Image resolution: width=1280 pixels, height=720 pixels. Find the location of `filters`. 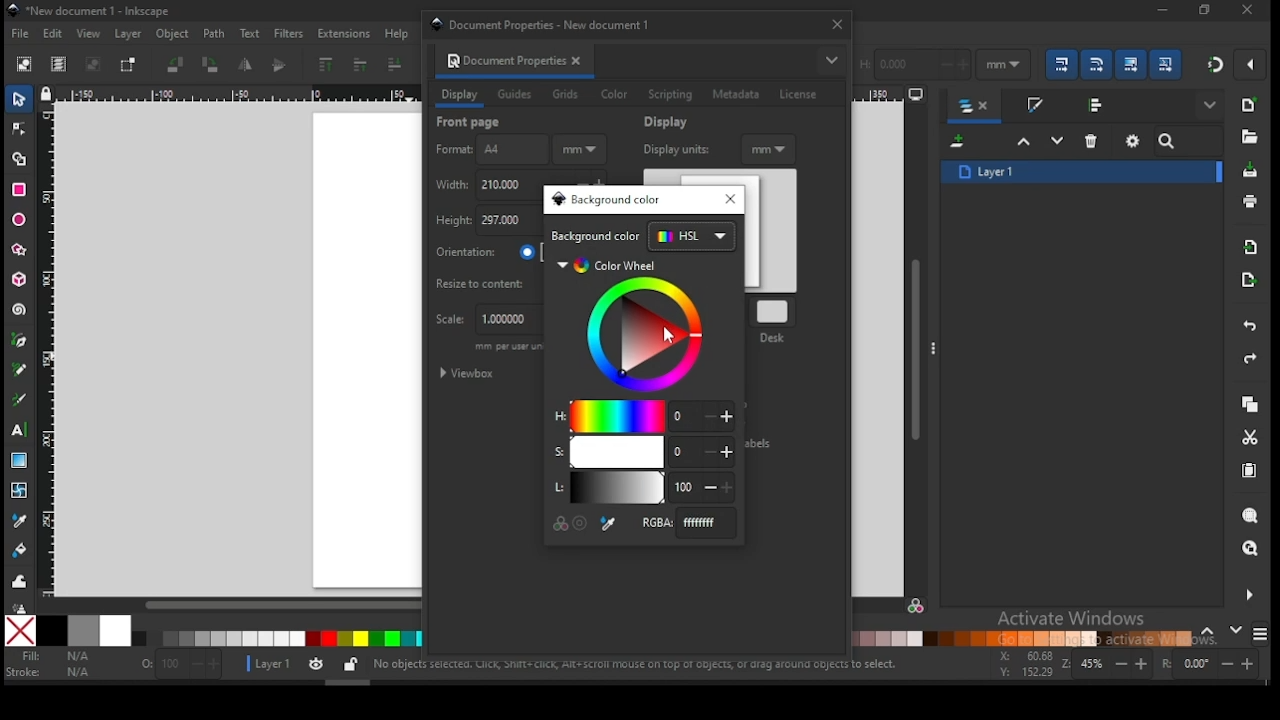

filters is located at coordinates (287, 32).